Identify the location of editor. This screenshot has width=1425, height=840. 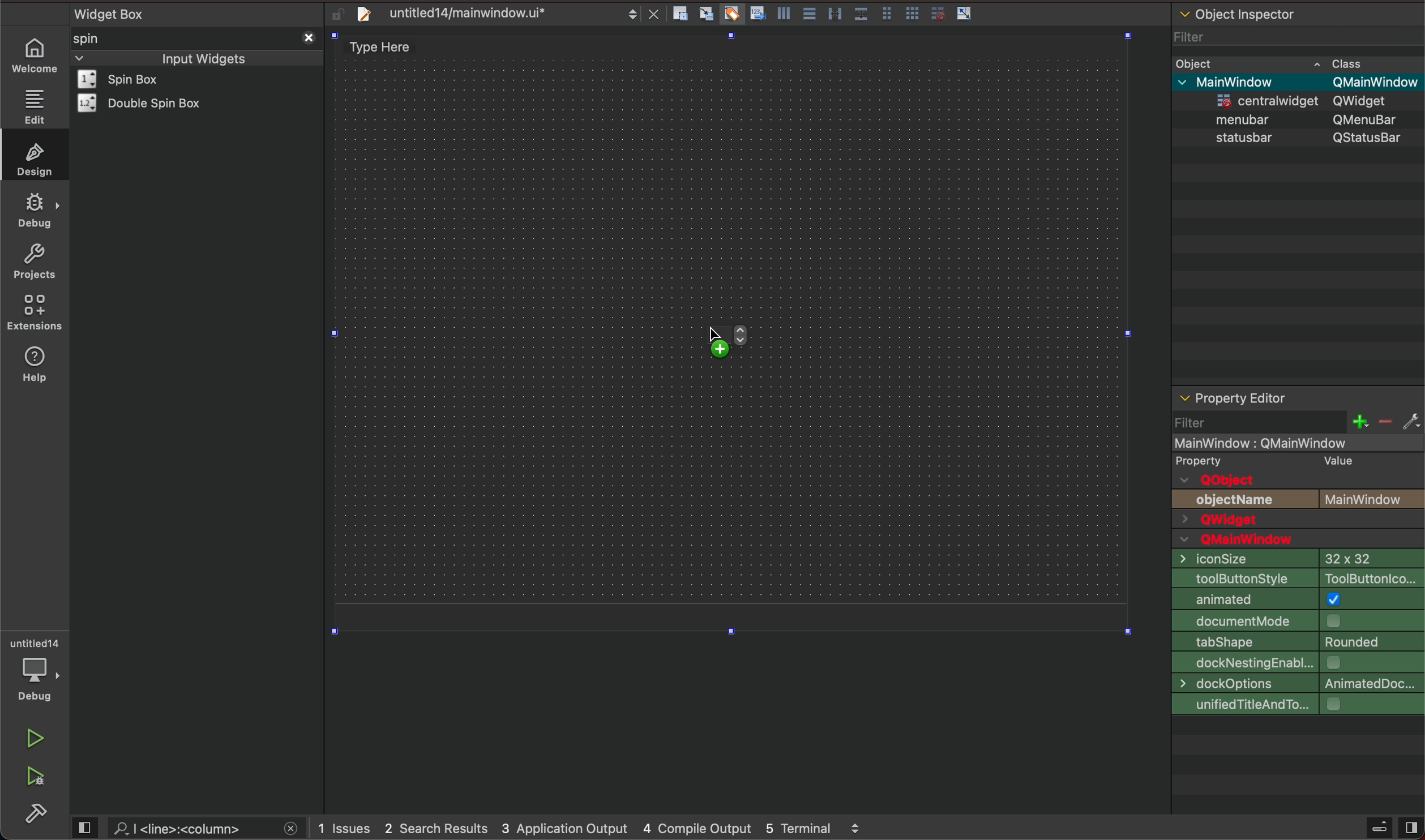
(1233, 398).